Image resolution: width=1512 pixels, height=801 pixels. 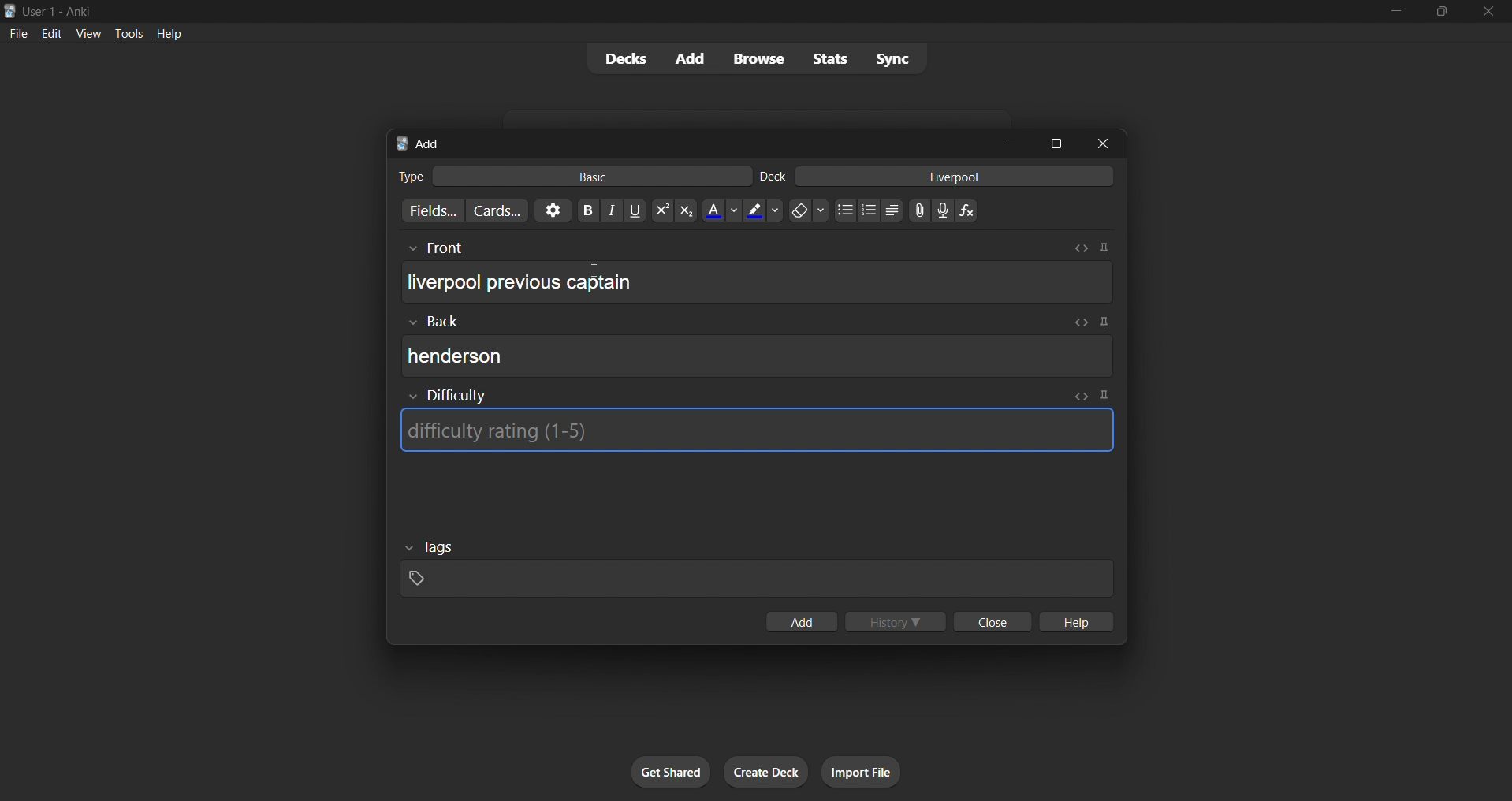 I want to click on multilevel list, so click(x=893, y=212).